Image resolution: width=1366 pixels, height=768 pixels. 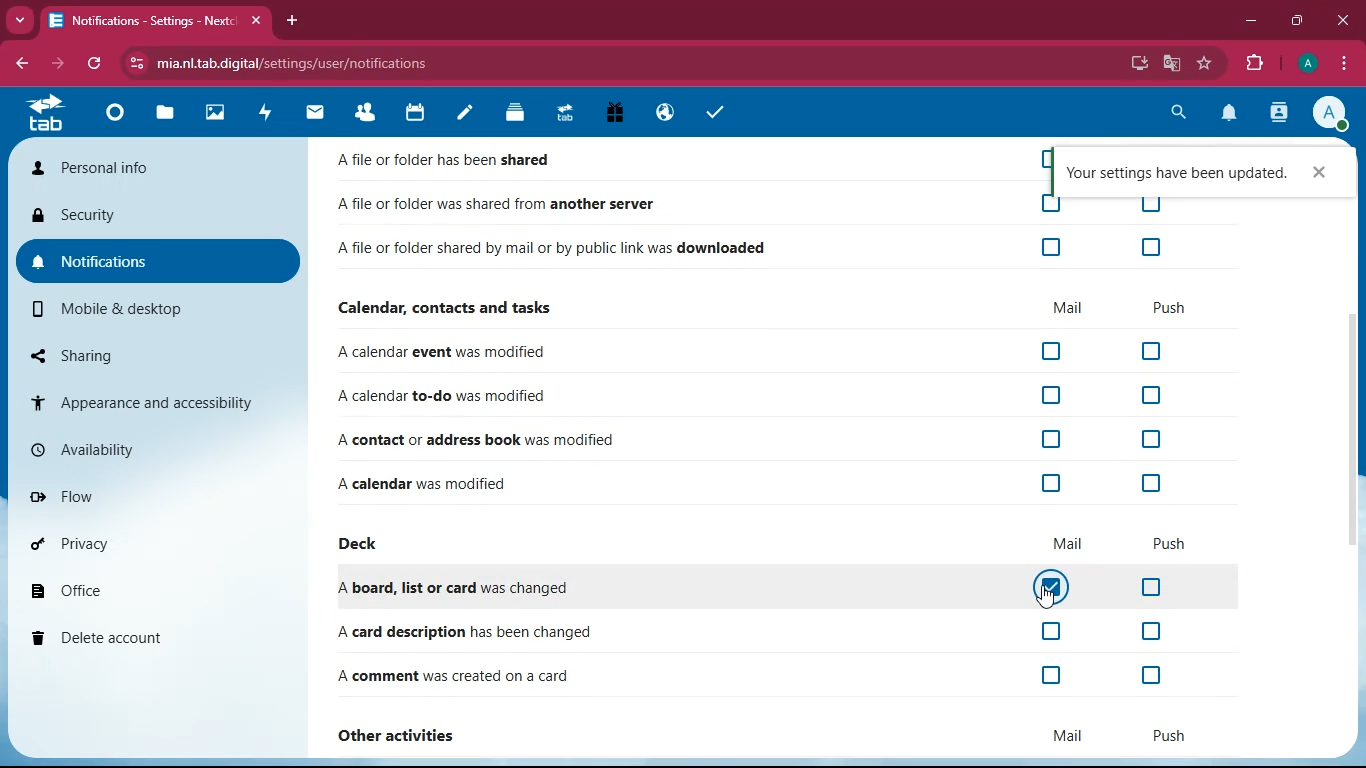 What do you see at coordinates (460, 349) in the screenshot?
I see `A calendar event was modified` at bounding box center [460, 349].